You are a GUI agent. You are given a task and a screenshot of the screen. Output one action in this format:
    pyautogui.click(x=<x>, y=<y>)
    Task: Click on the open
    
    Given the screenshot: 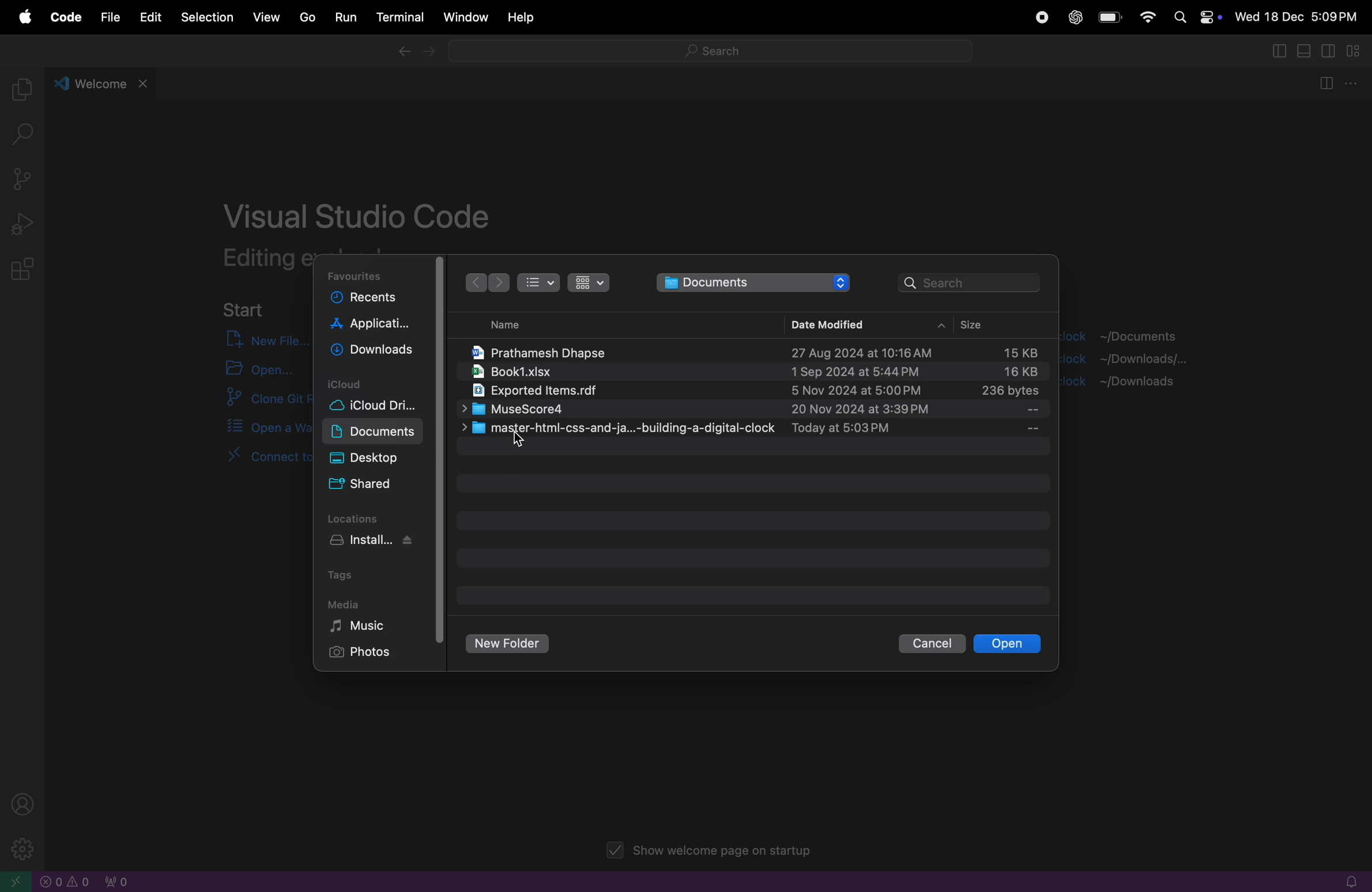 What is the action you would take?
    pyautogui.click(x=1007, y=644)
    